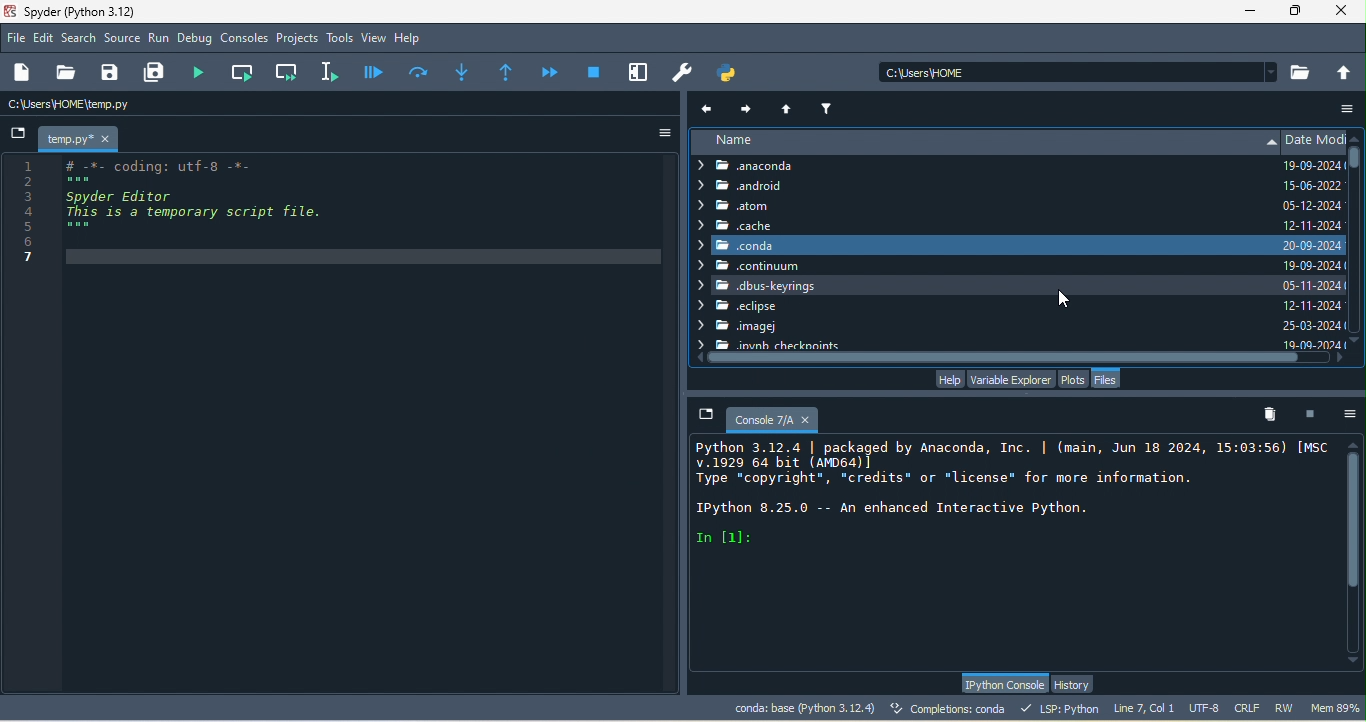 The height and width of the screenshot is (722, 1366). Describe the element at coordinates (179, 216) in the screenshot. I see `coding` at that location.